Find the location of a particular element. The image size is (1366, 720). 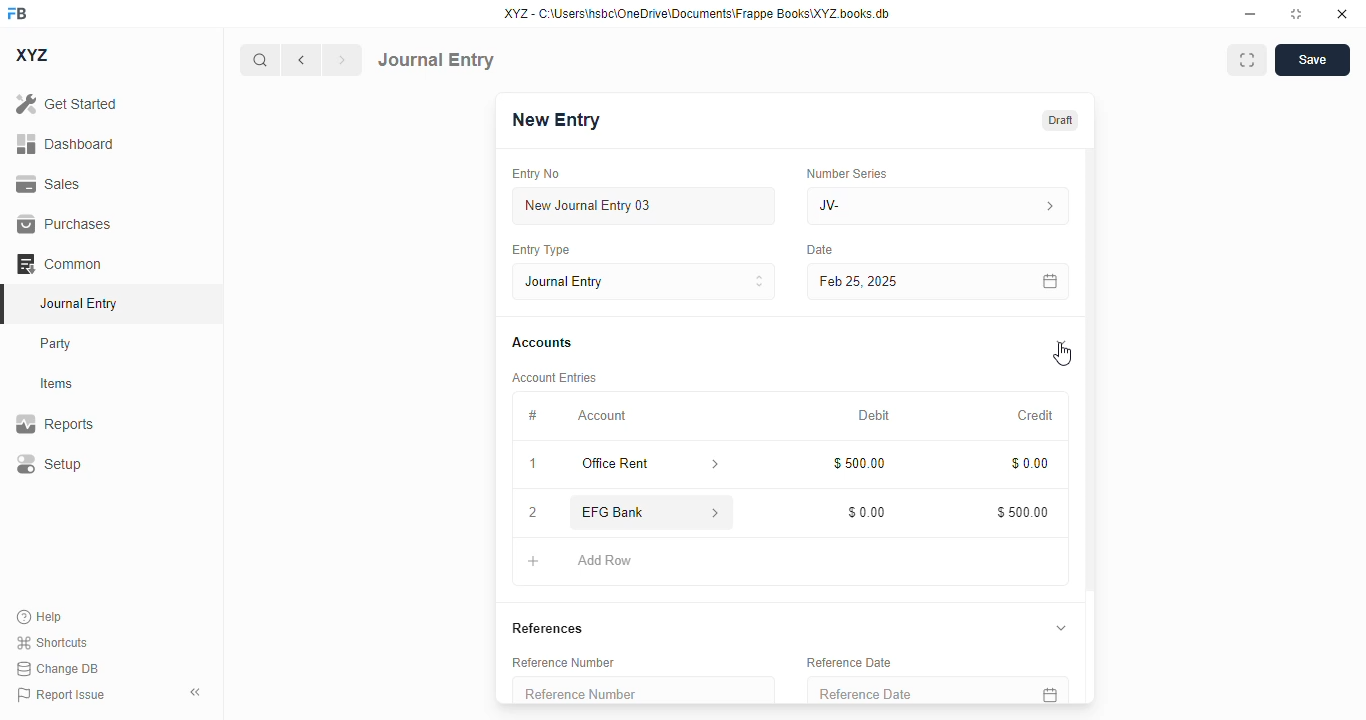

journal entry is located at coordinates (436, 60).